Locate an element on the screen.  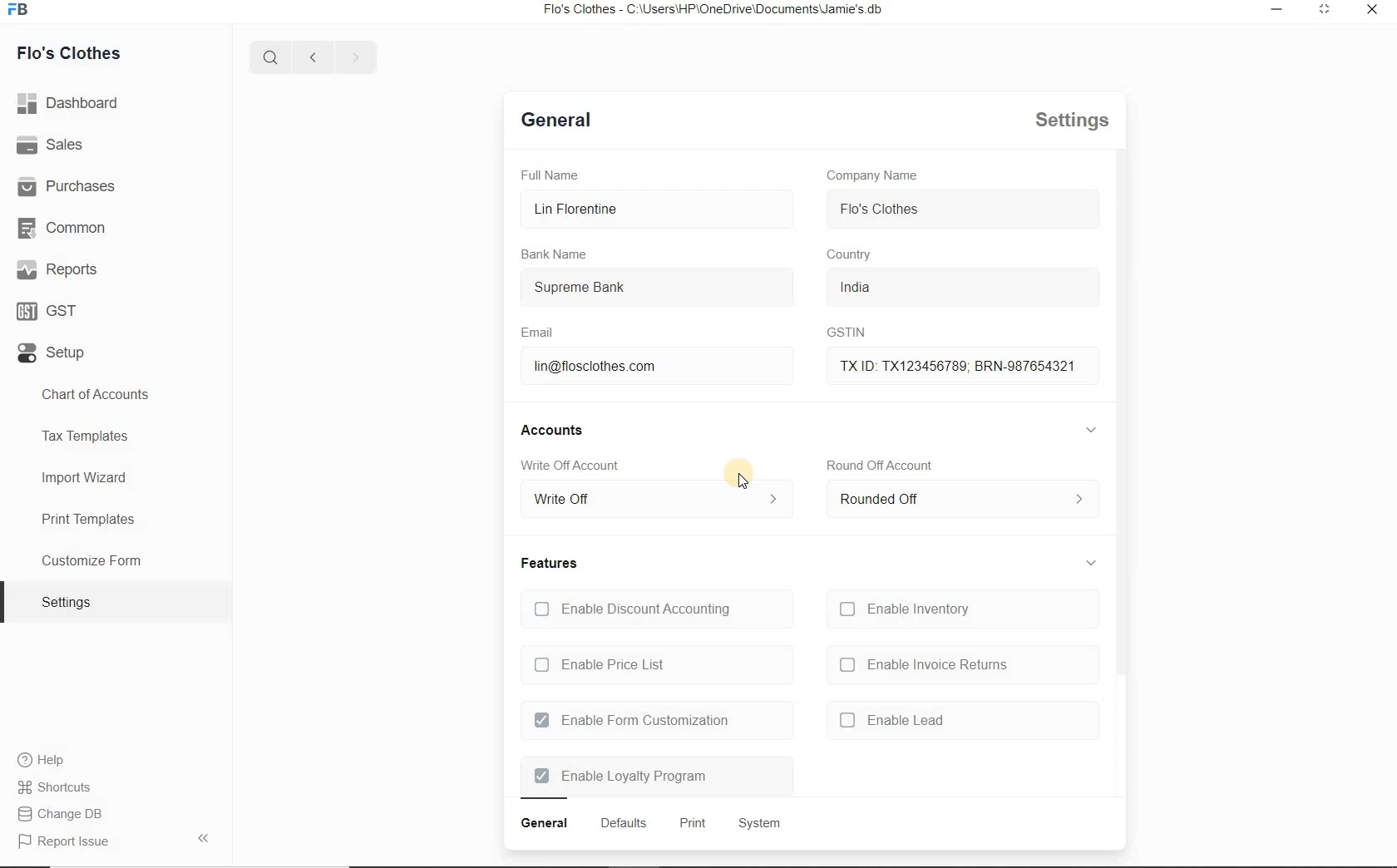
Enable Invoice Returns is located at coordinates (964, 666).